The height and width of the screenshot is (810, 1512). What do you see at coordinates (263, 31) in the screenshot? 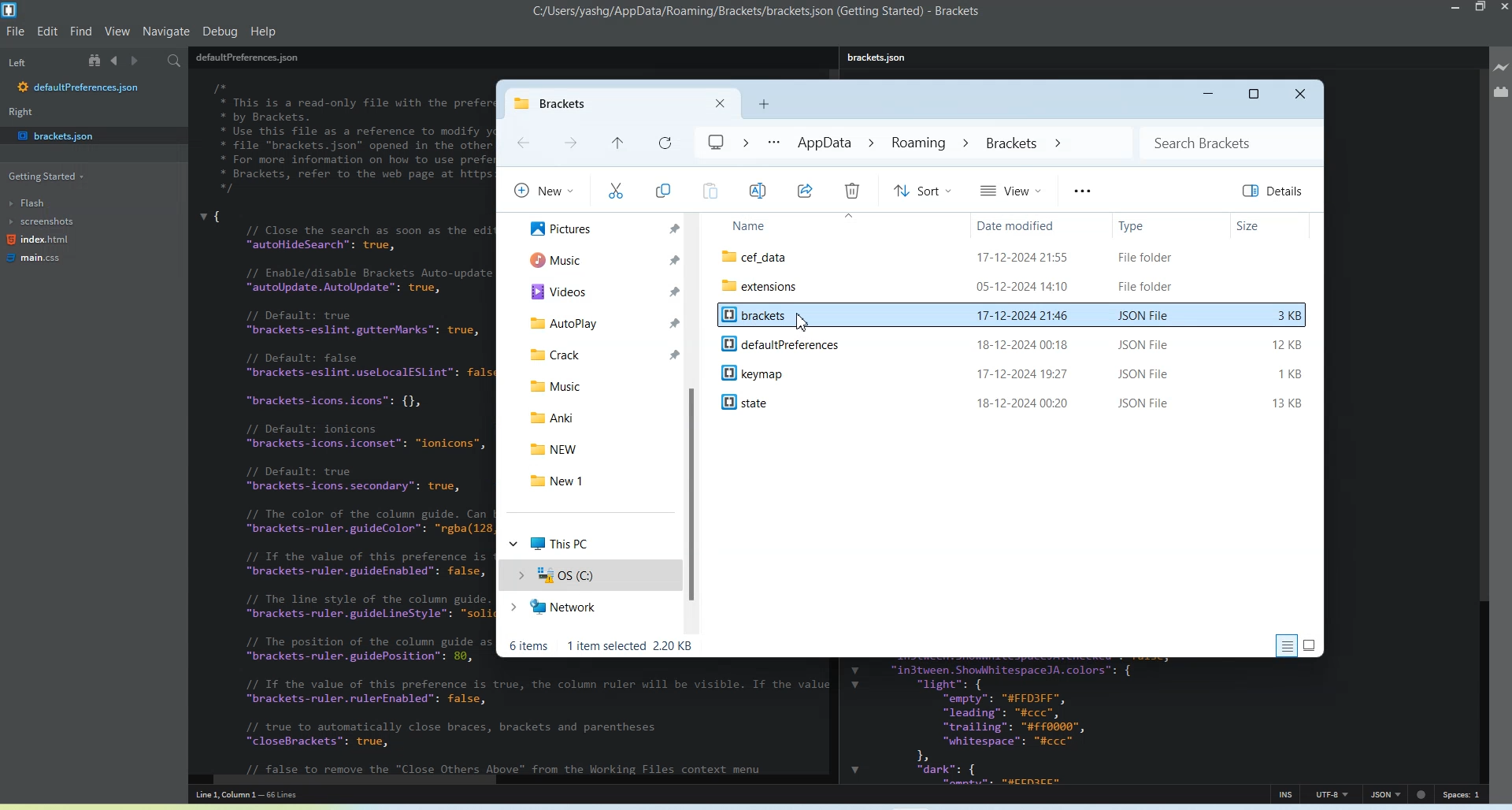
I see `Help` at bounding box center [263, 31].